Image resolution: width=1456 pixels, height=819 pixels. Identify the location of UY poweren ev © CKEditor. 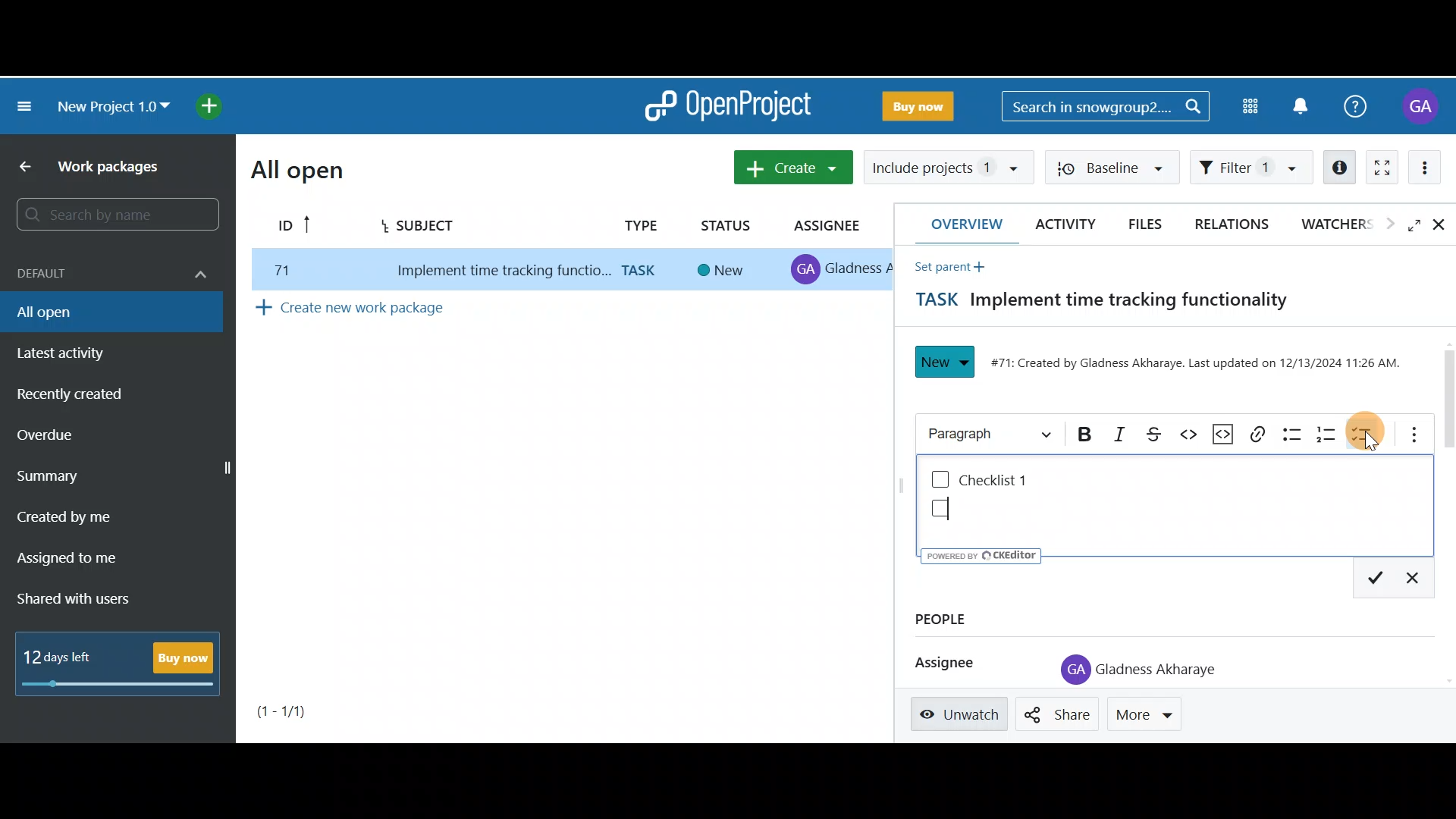
(981, 555).